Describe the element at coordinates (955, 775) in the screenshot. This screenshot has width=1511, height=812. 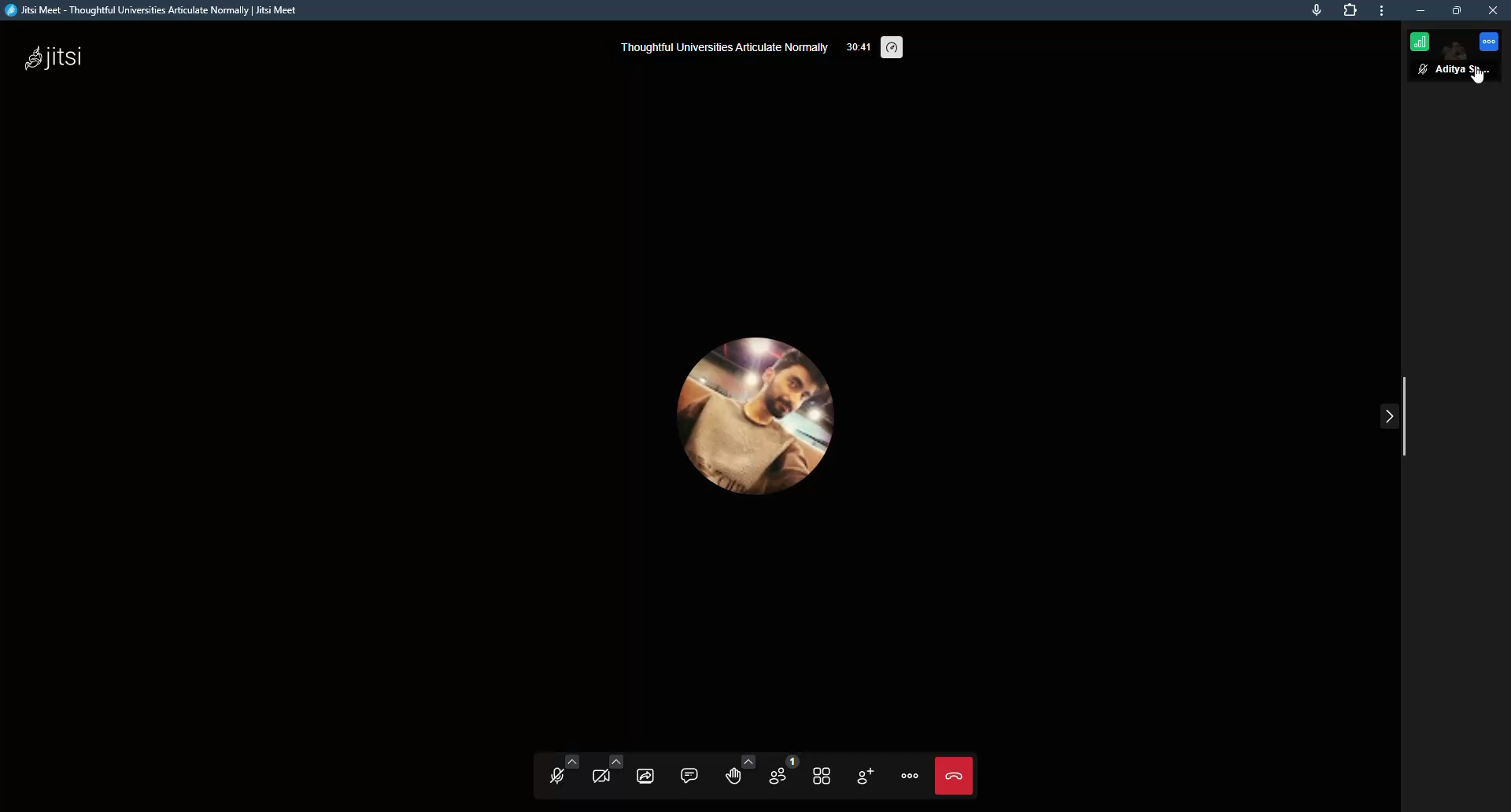
I see `Leave meeting` at that location.